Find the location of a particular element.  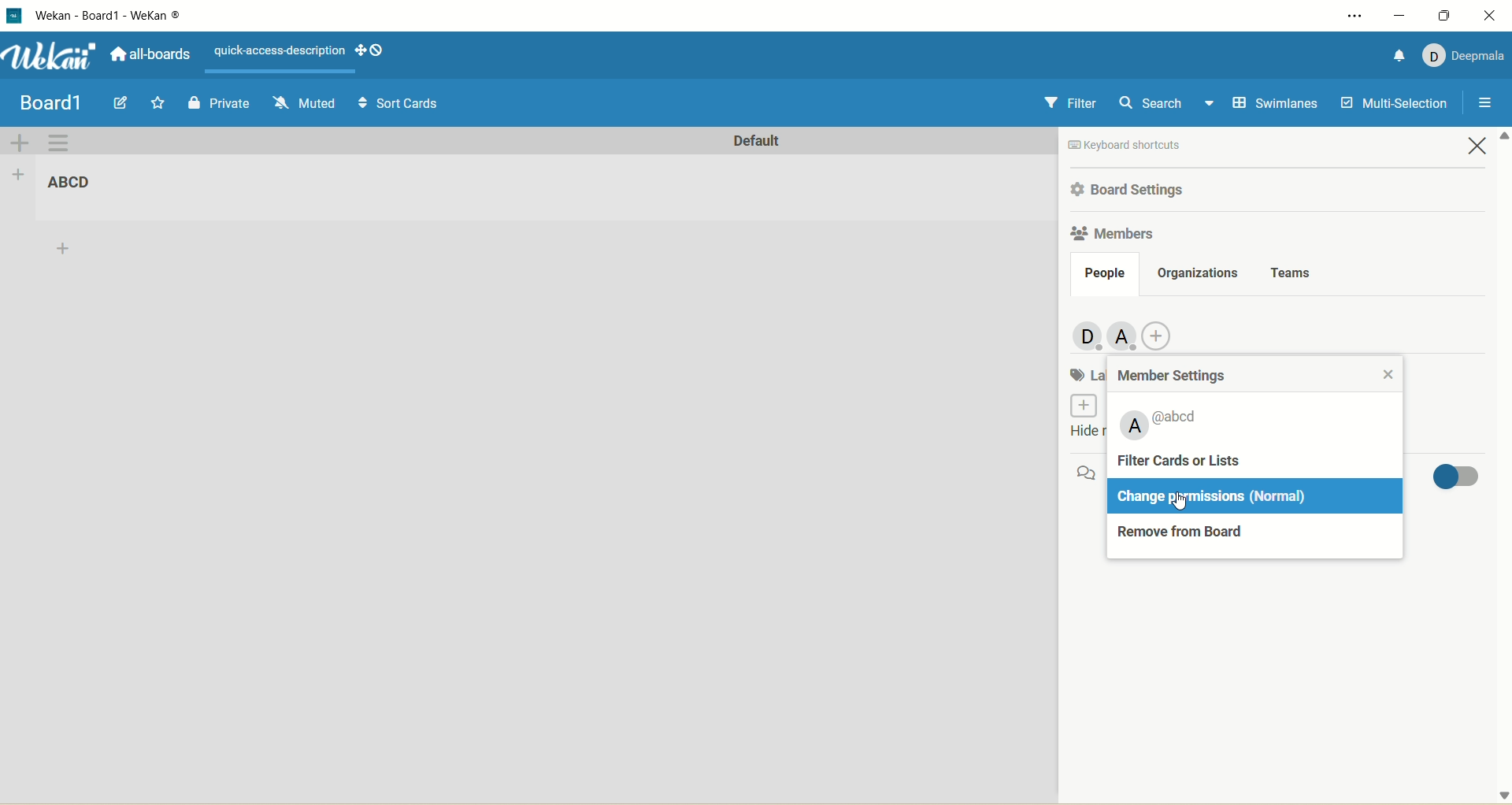

filter is located at coordinates (1069, 104).